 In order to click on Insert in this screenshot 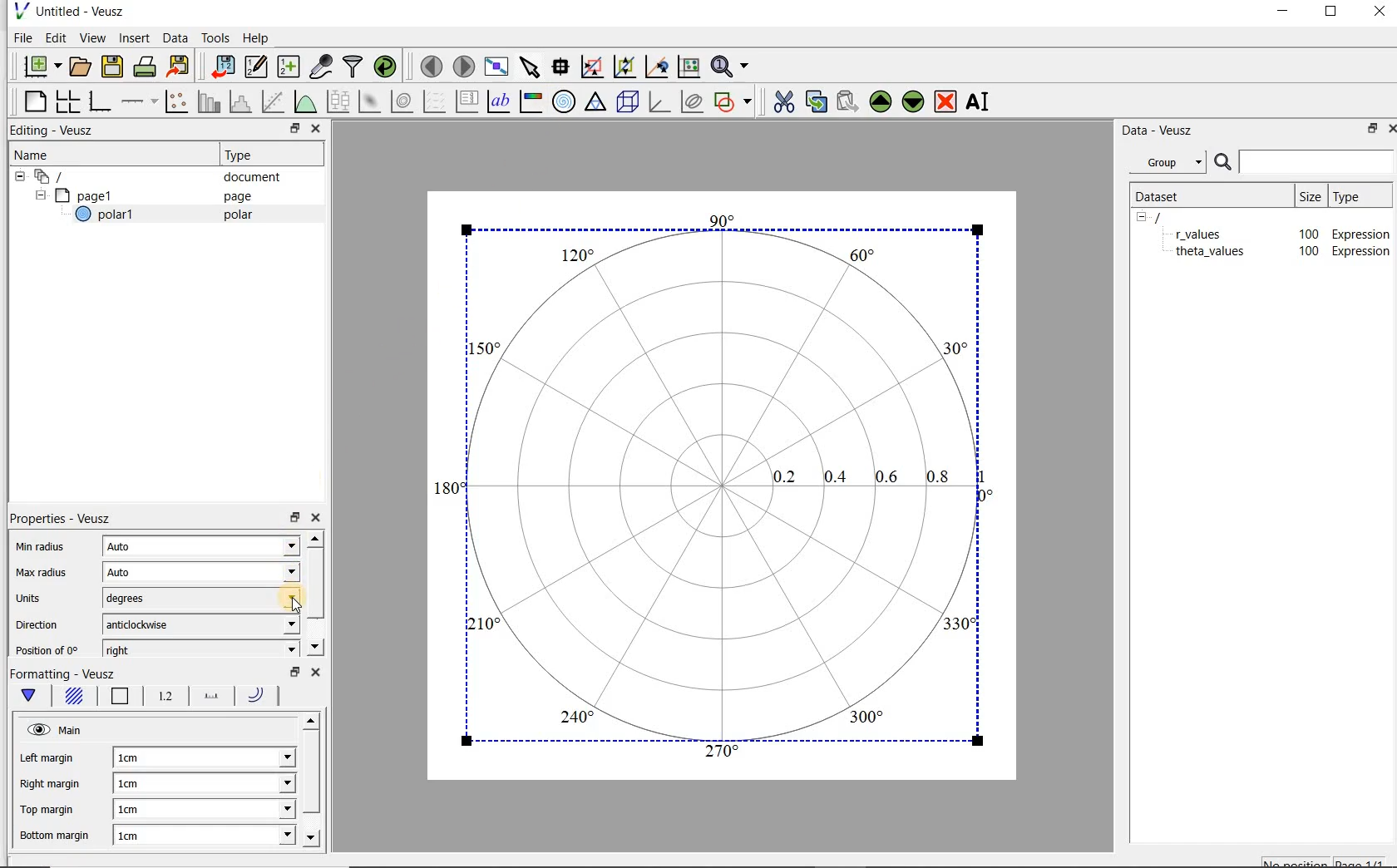, I will do `click(136, 37)`.